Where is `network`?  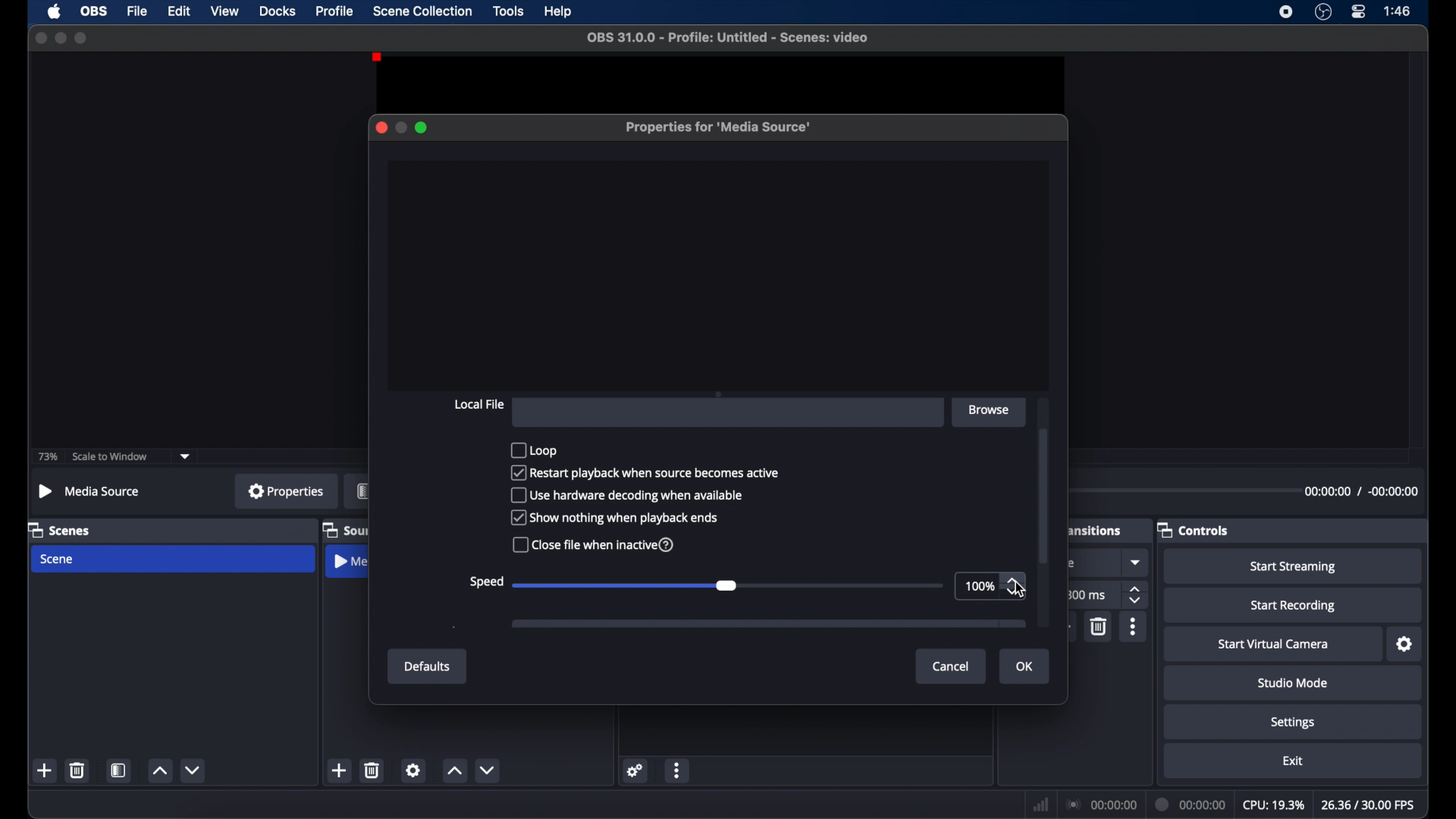 network is located at coordinates (1041, 806).